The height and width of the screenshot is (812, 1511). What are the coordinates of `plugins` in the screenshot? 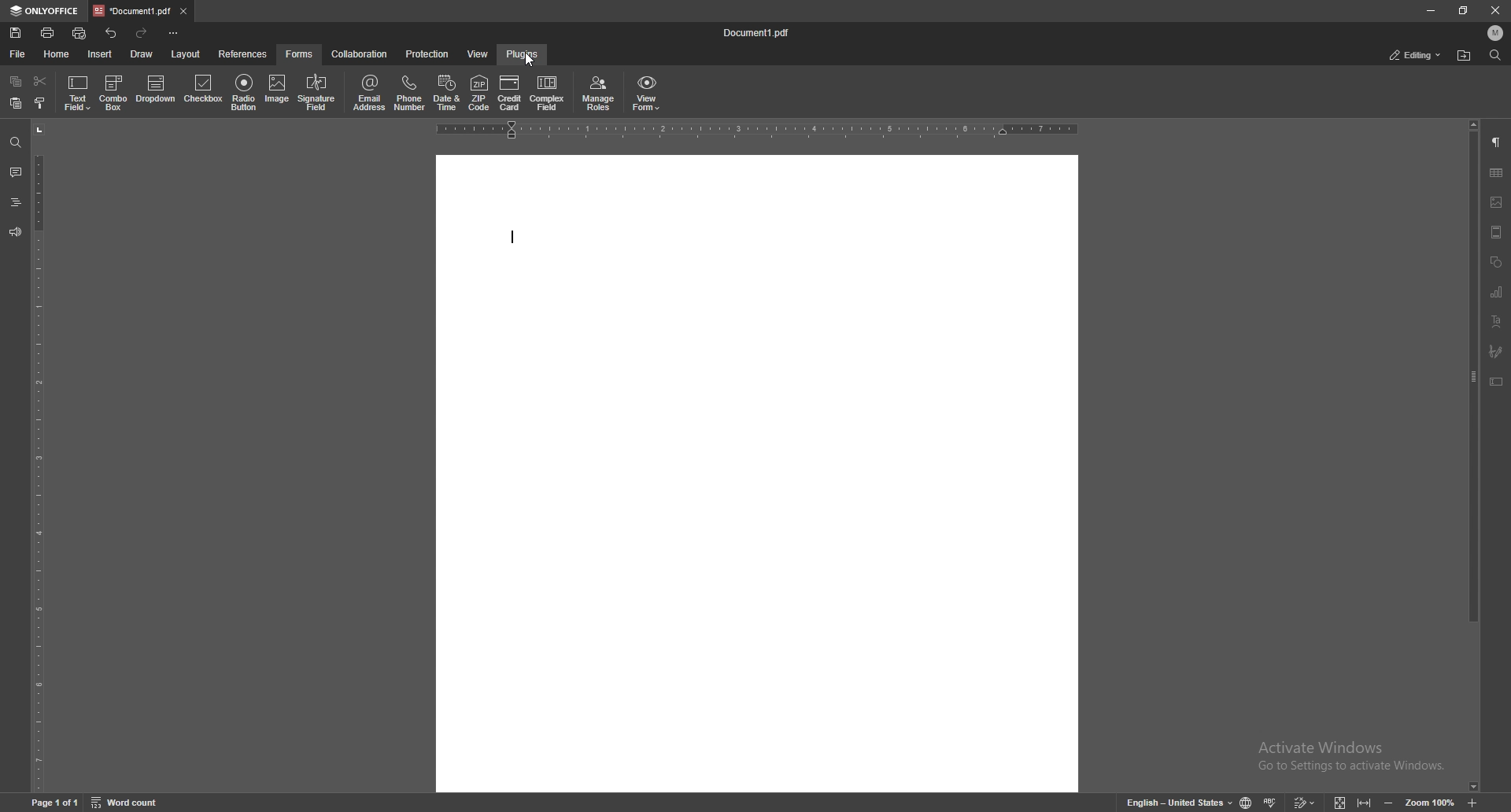 It's located at (523, 54).